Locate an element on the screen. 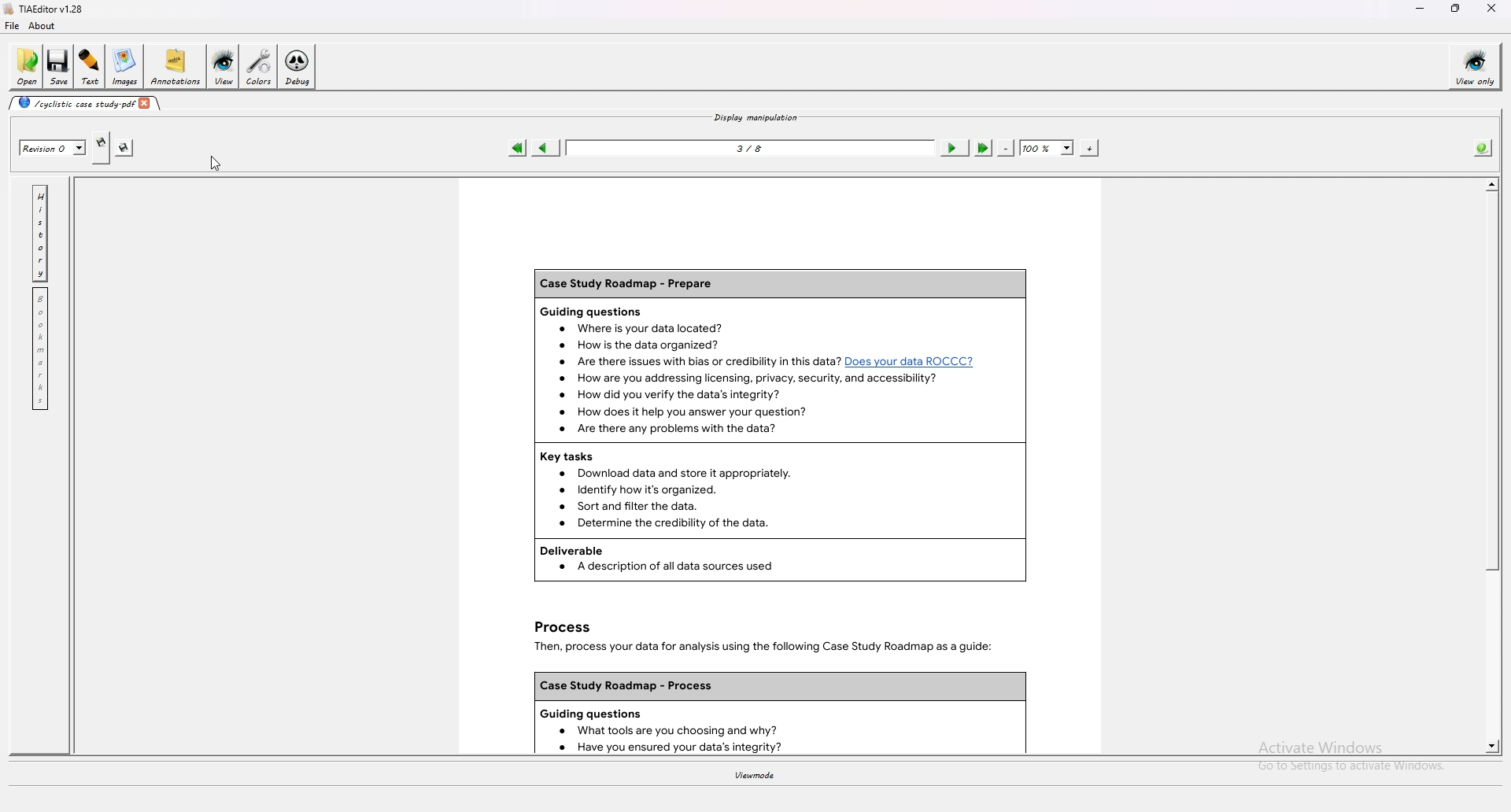 This screenshot has height=812, width=1511. save is located at coordinates (60, 65).